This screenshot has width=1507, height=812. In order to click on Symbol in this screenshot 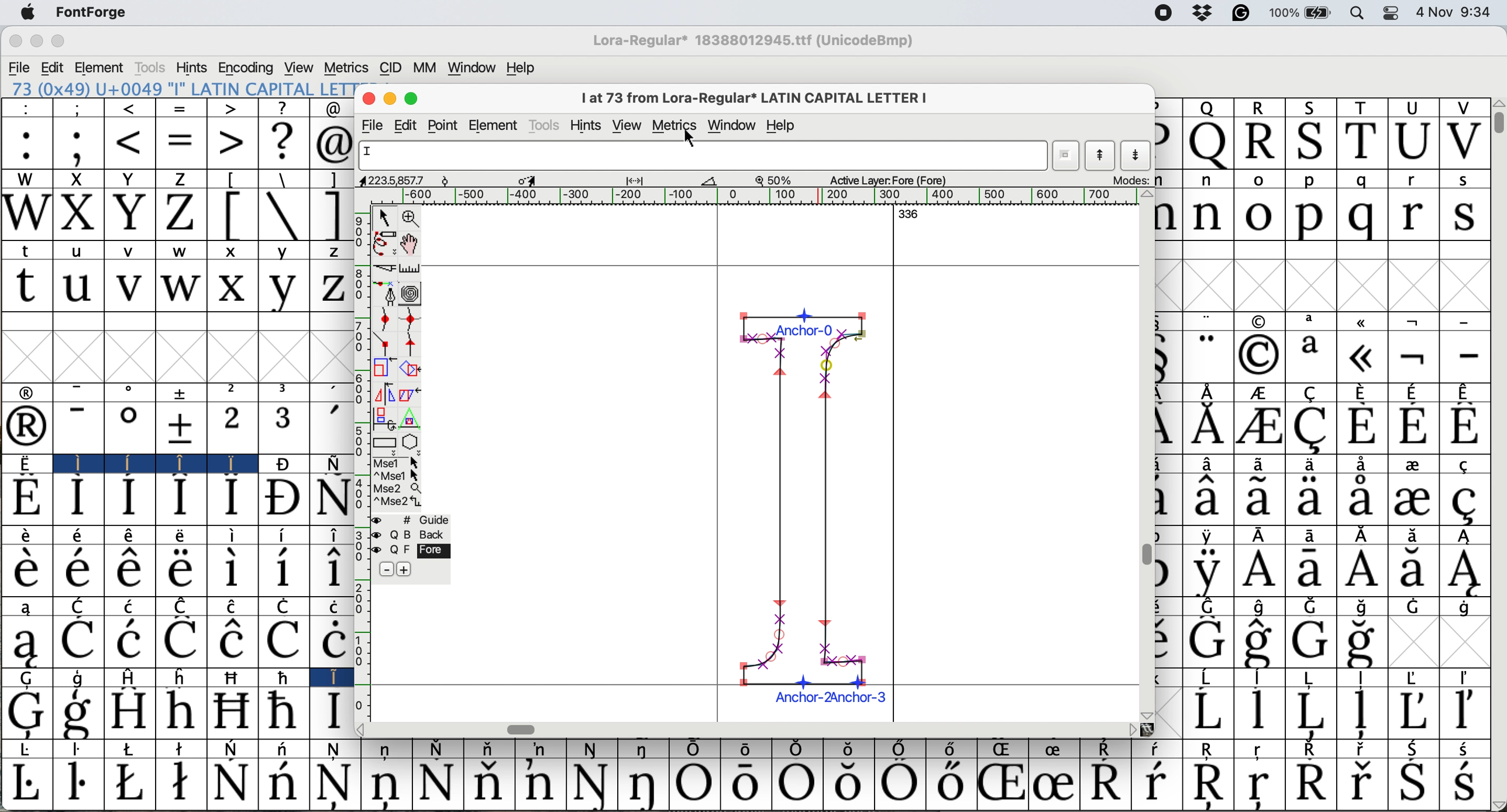, I will do `click(742, 785)`.